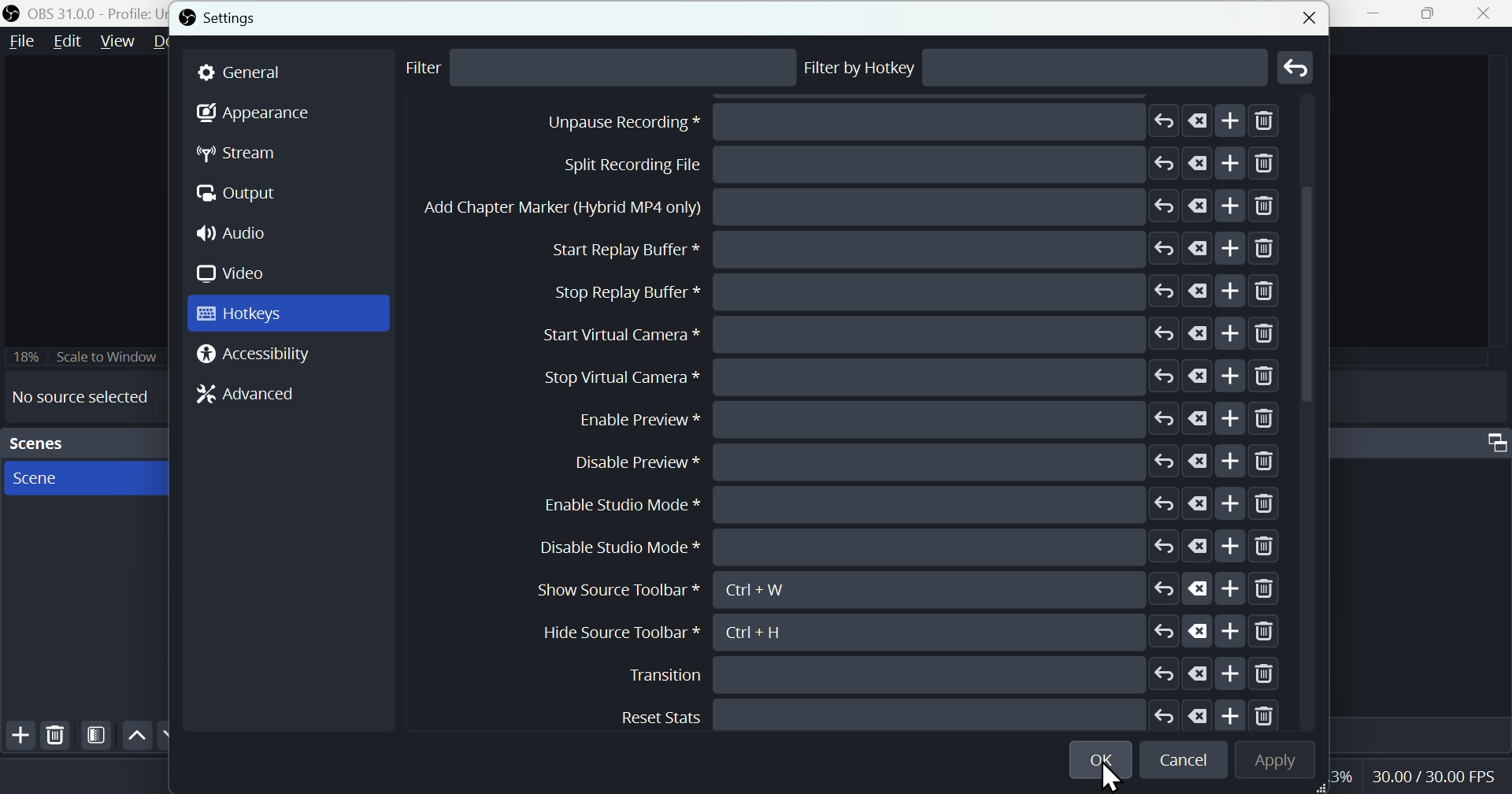 This screenshot has width=1512, height=794. I want to click on Start recording, so click(886, 165).